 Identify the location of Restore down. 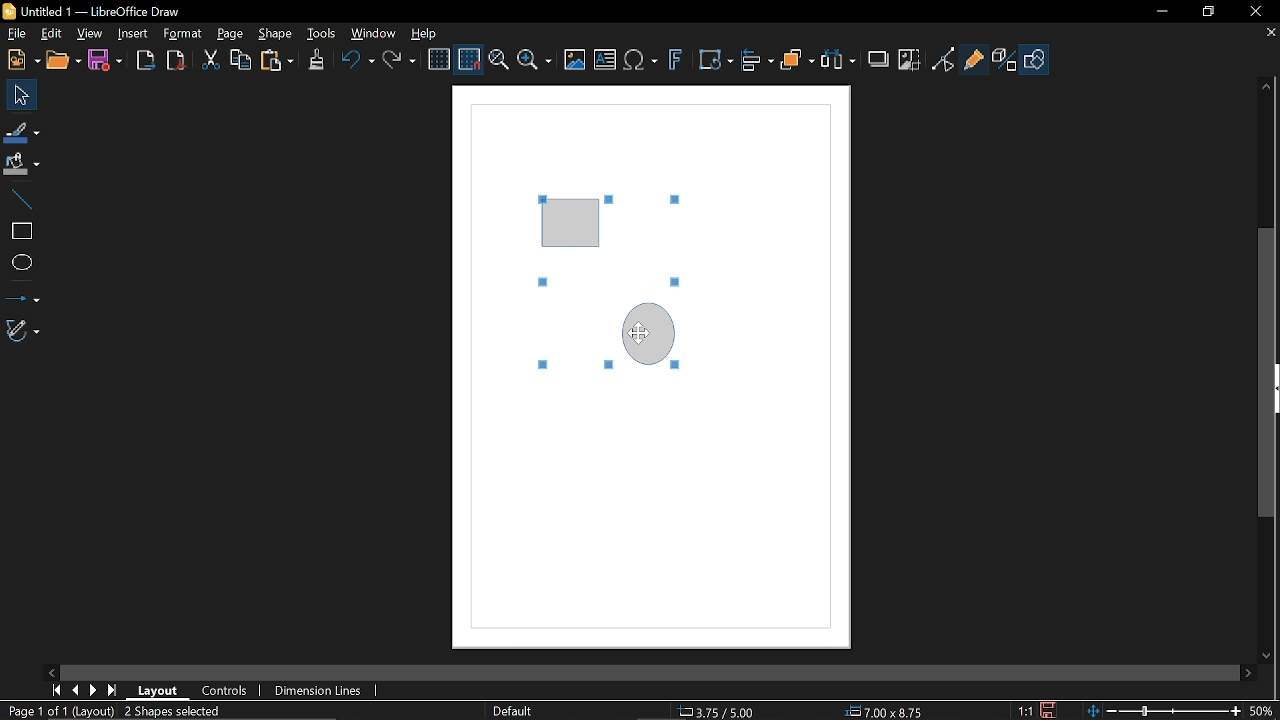
(1206, 11).